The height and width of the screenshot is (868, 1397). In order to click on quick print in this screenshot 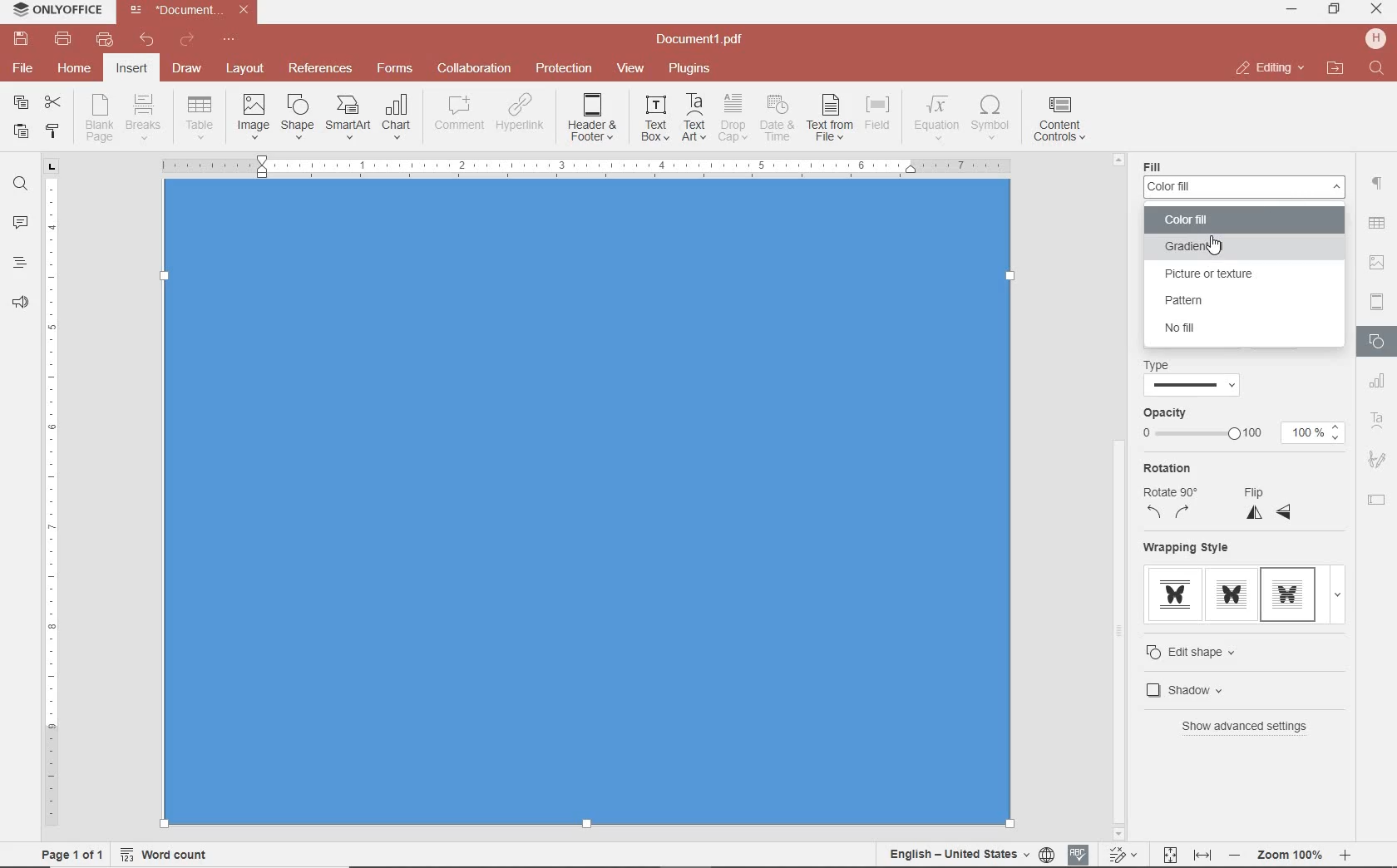, I will do `click(103, 39)`.